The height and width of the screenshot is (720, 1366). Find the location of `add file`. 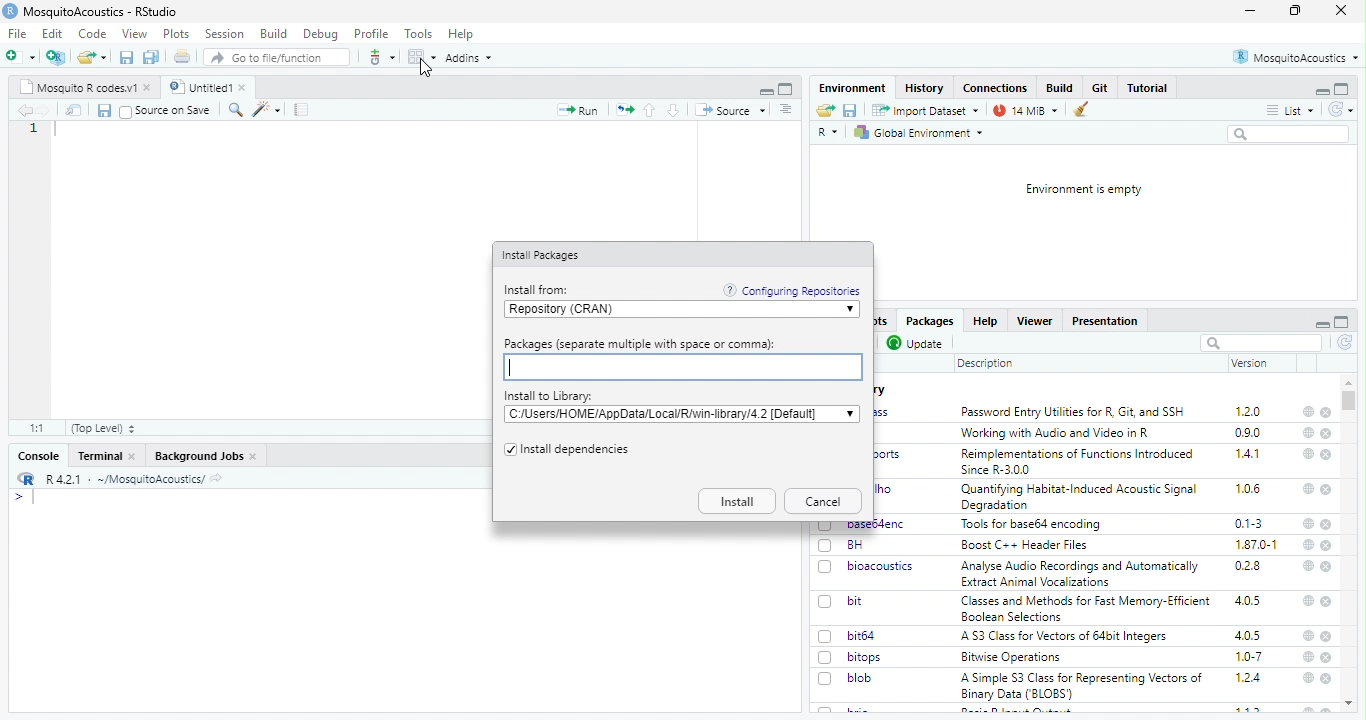

add file is located at coordinates (56, 57).